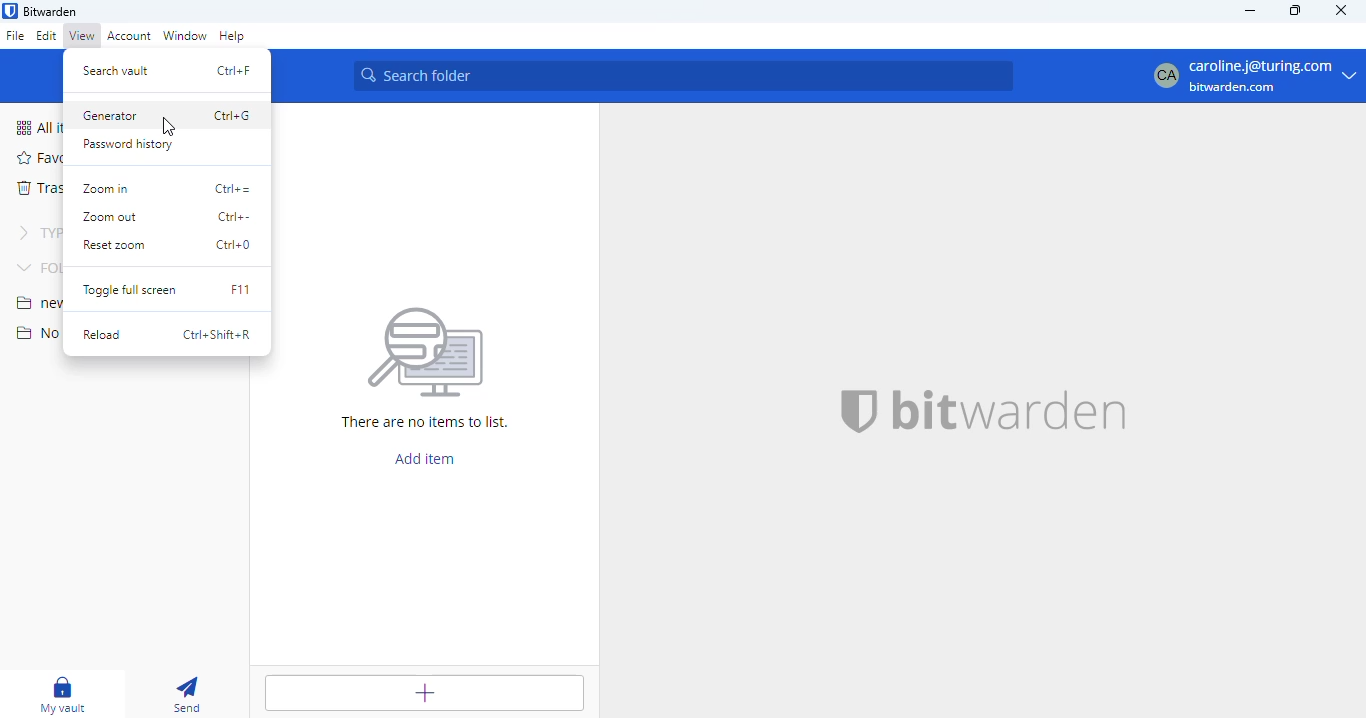 The height and width of the screenshot is (718, 1366). Describe the element at coordinates (218, 334) in the screenshot. I see `shortcut for reload` at that location.